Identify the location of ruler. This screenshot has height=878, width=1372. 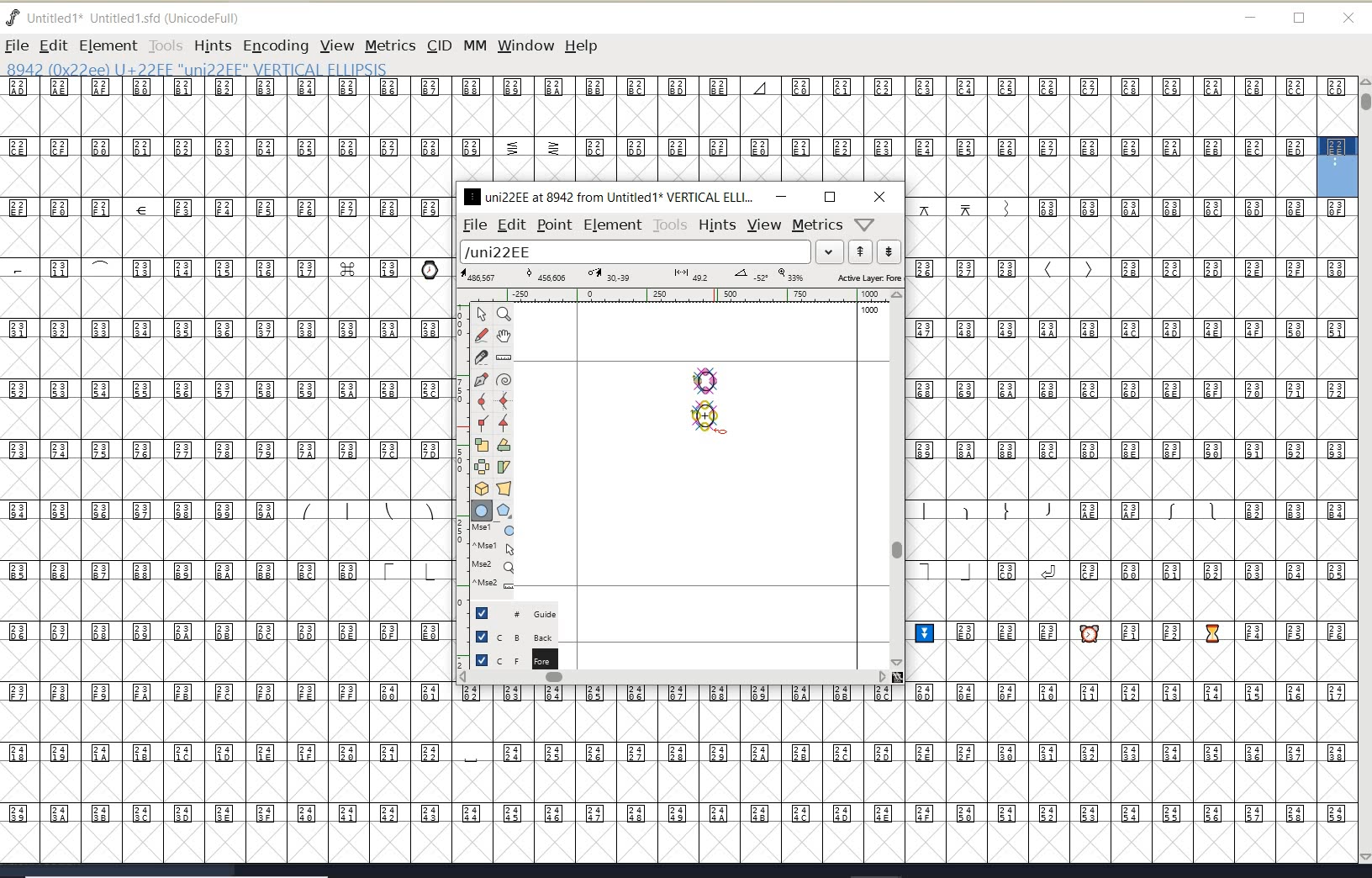
(674, 297).